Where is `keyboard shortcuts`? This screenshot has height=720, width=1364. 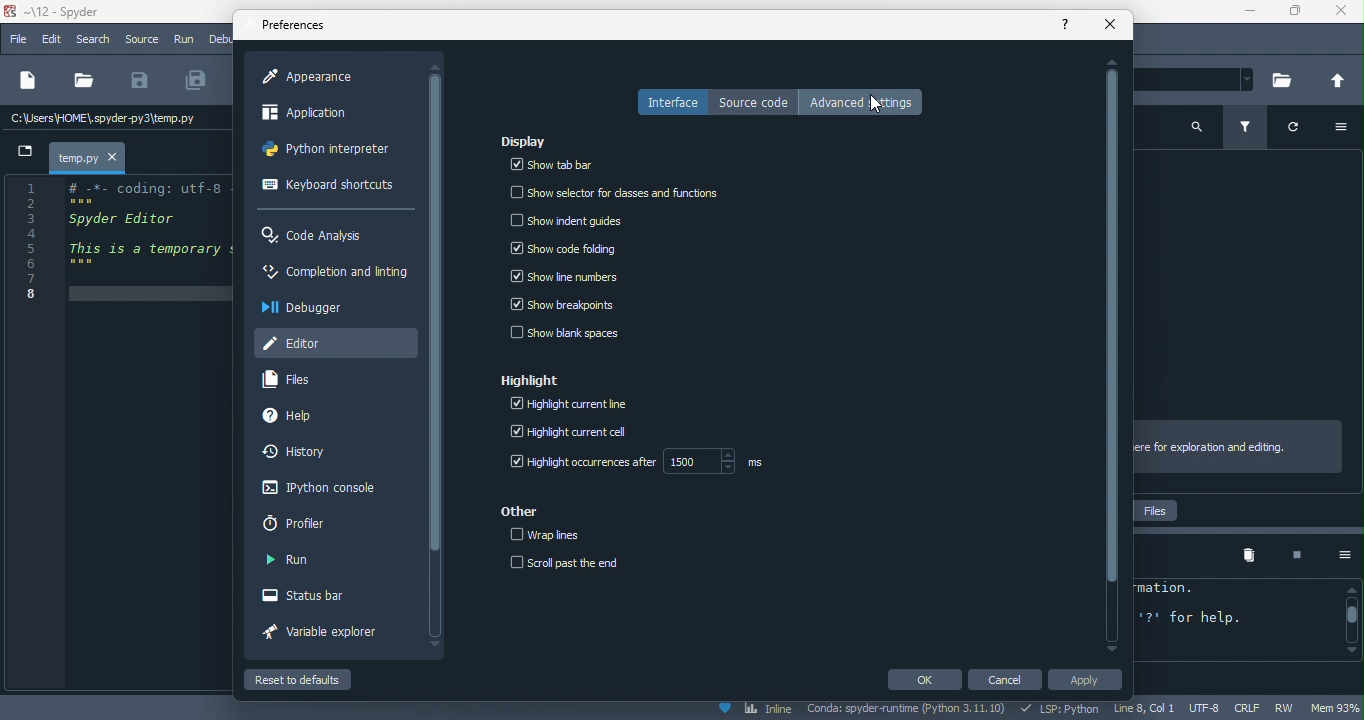
keyboard shortcuts is located at coordinates (328, 187).